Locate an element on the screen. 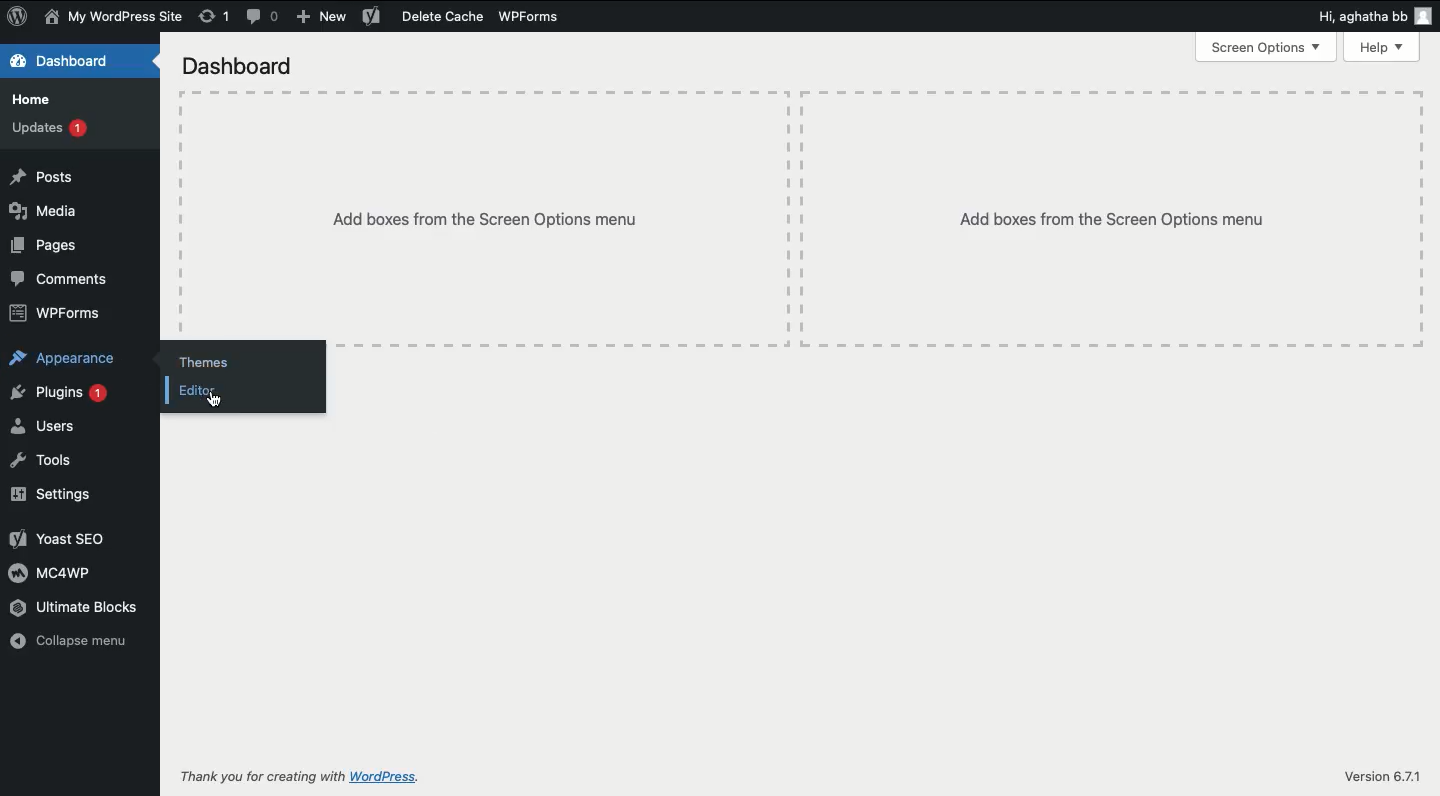 This screenshot has width=1440, height=796. Help  is located at coordinates (1378, 49).